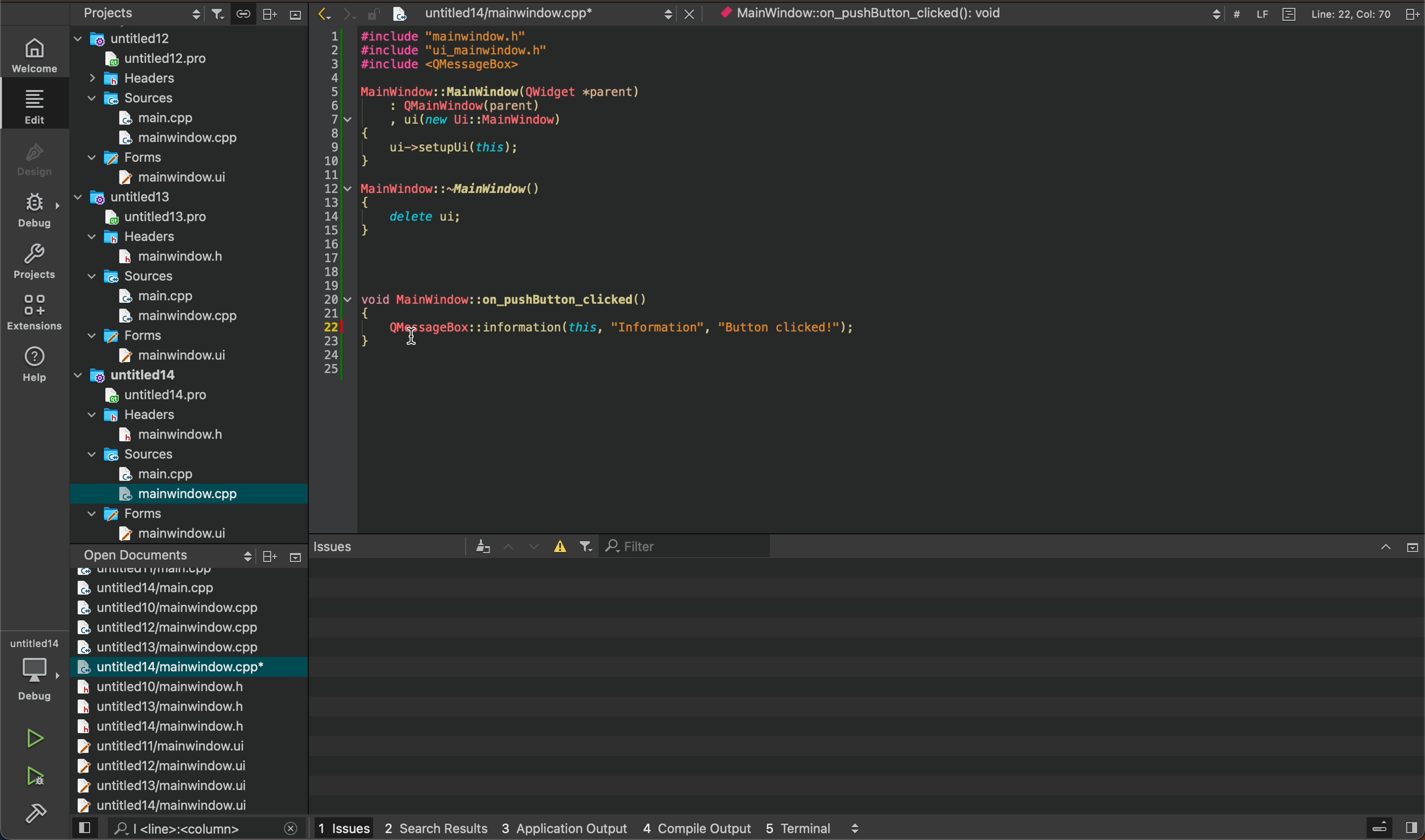  What do you see at coordinates (38, 106) in the screenshot?
I see `EDIT` at bounding box center [38, 106].